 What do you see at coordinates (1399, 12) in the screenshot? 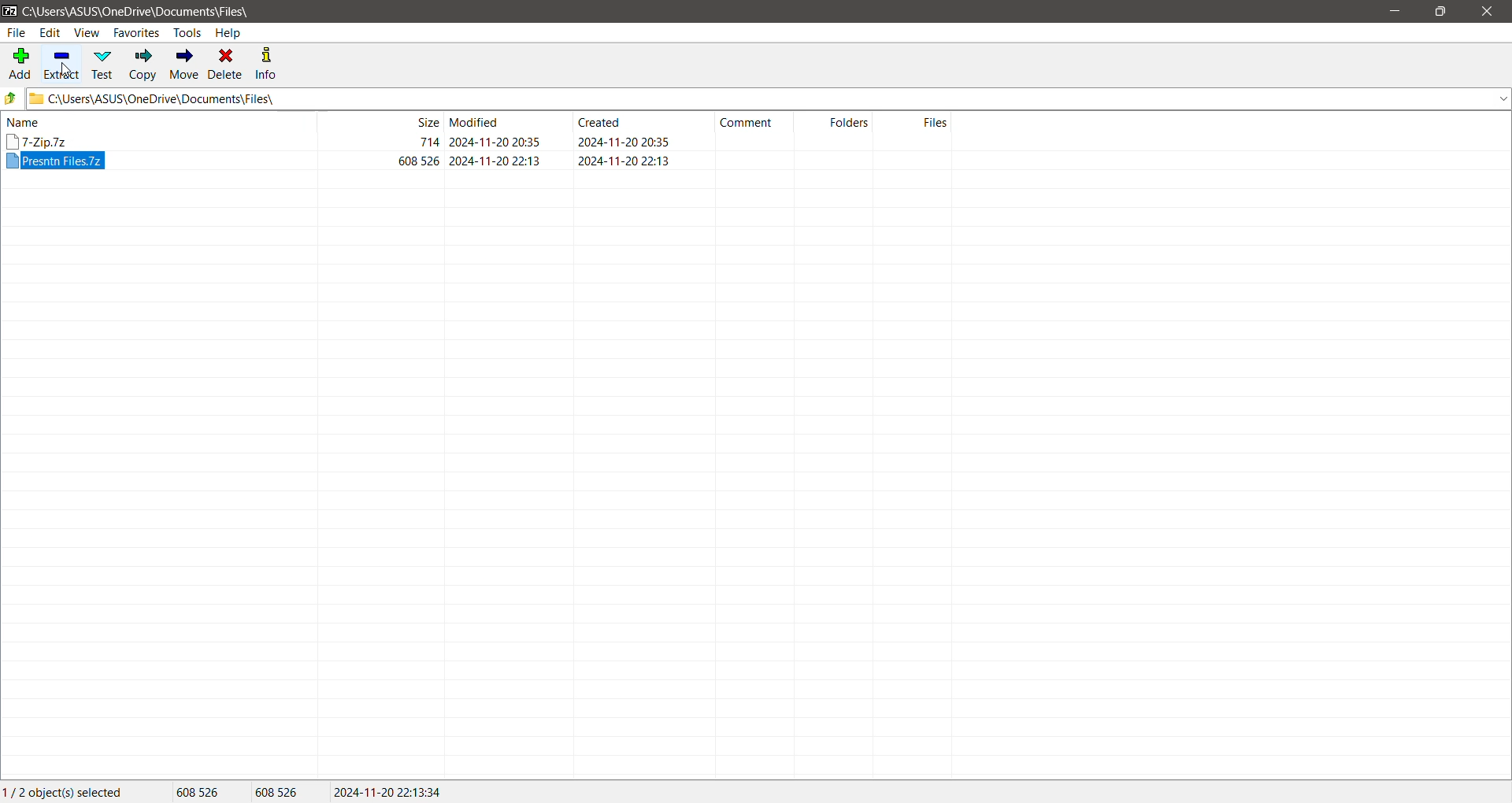
I see `Minimize` at bounding box center [1399, 12].